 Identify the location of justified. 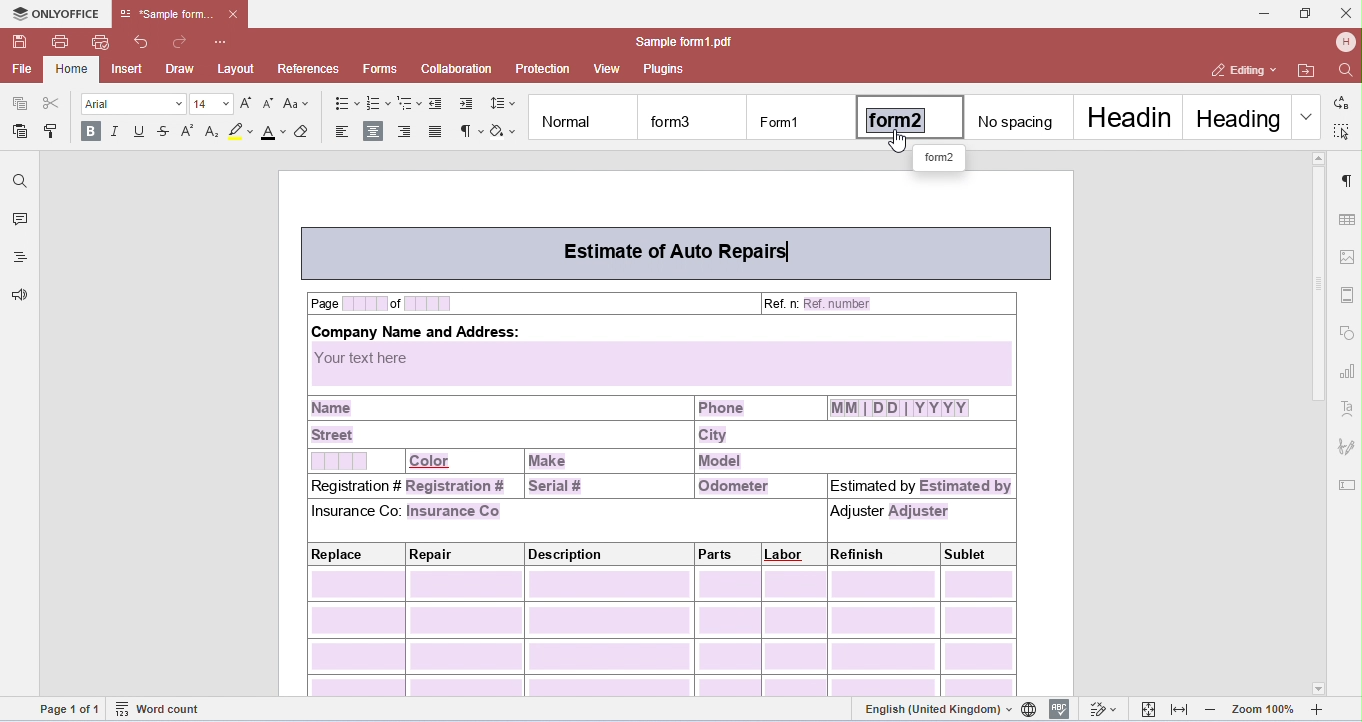
(438, 132).